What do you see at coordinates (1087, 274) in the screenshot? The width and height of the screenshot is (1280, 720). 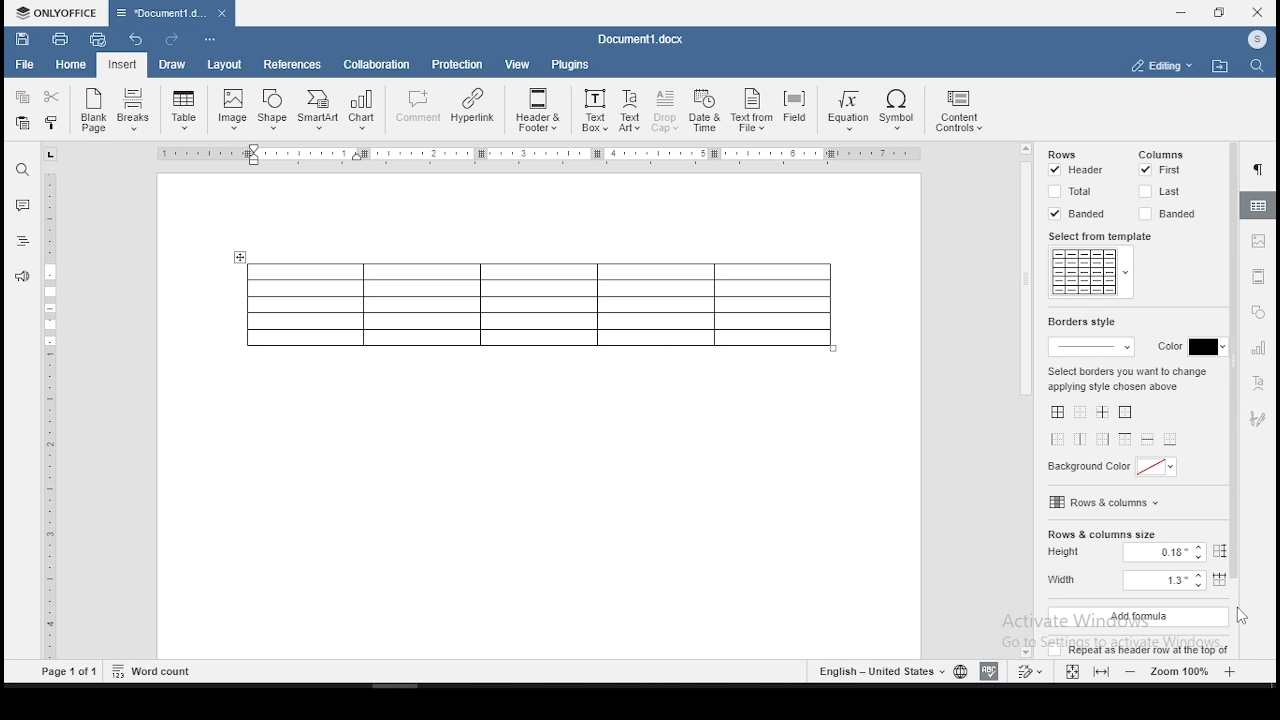 I see `table style templates` at bounding box center [1087, 274].